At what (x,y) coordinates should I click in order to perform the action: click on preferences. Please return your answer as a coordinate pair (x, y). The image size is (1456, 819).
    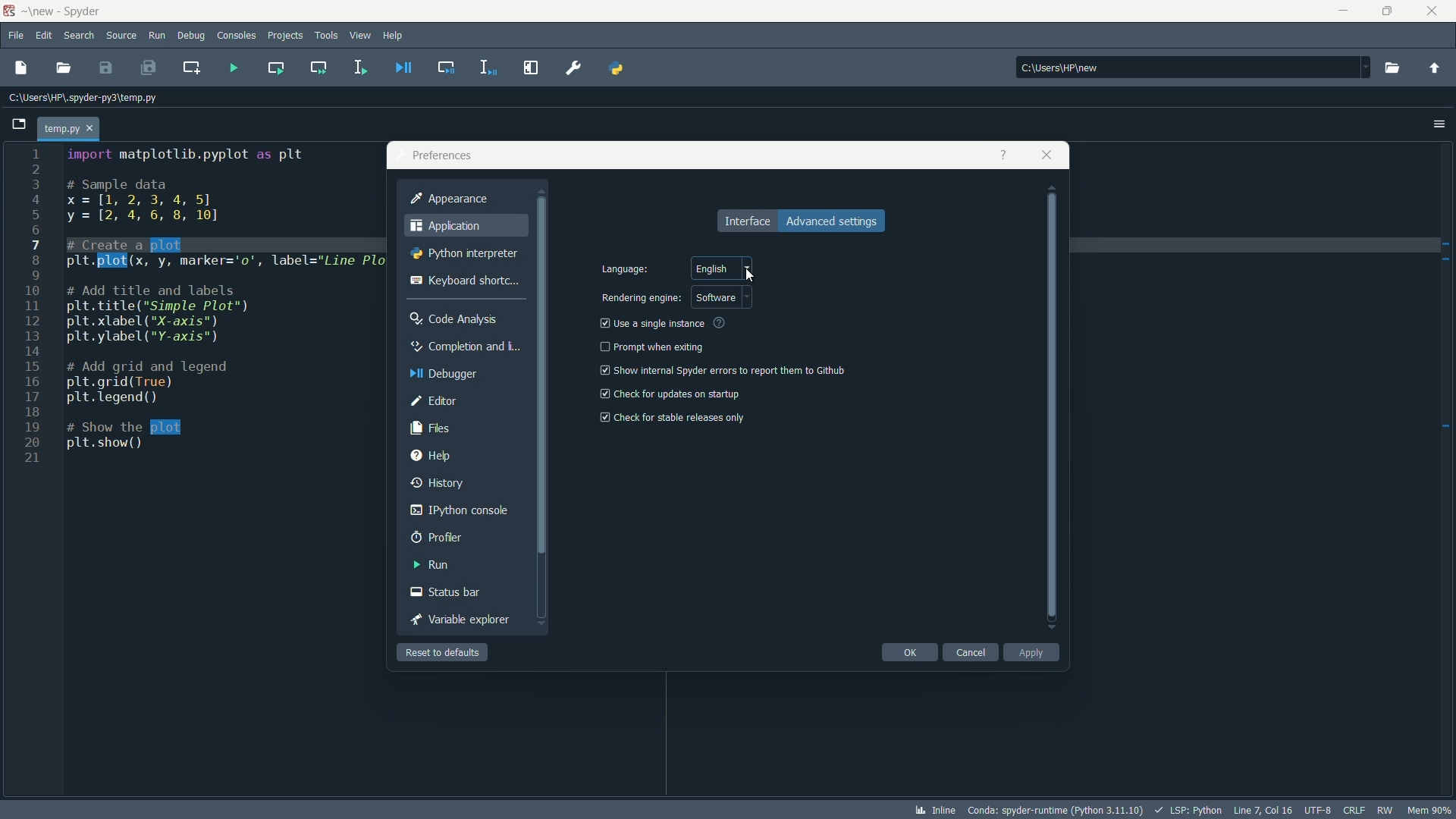
    Looking at the image, I should click on (576, 67).